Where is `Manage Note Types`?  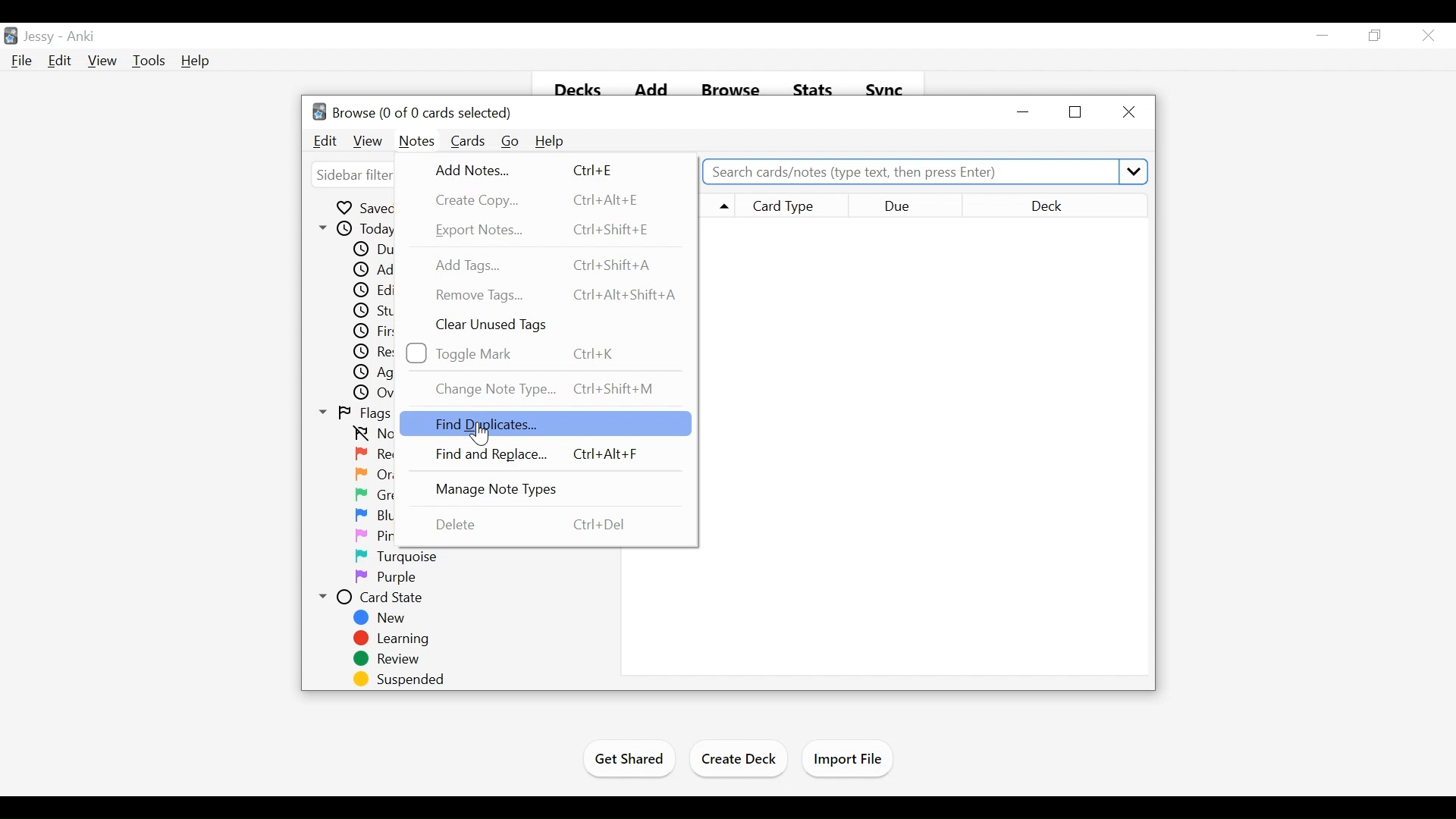 Manage Note Types is located at coordinates (513, 490).